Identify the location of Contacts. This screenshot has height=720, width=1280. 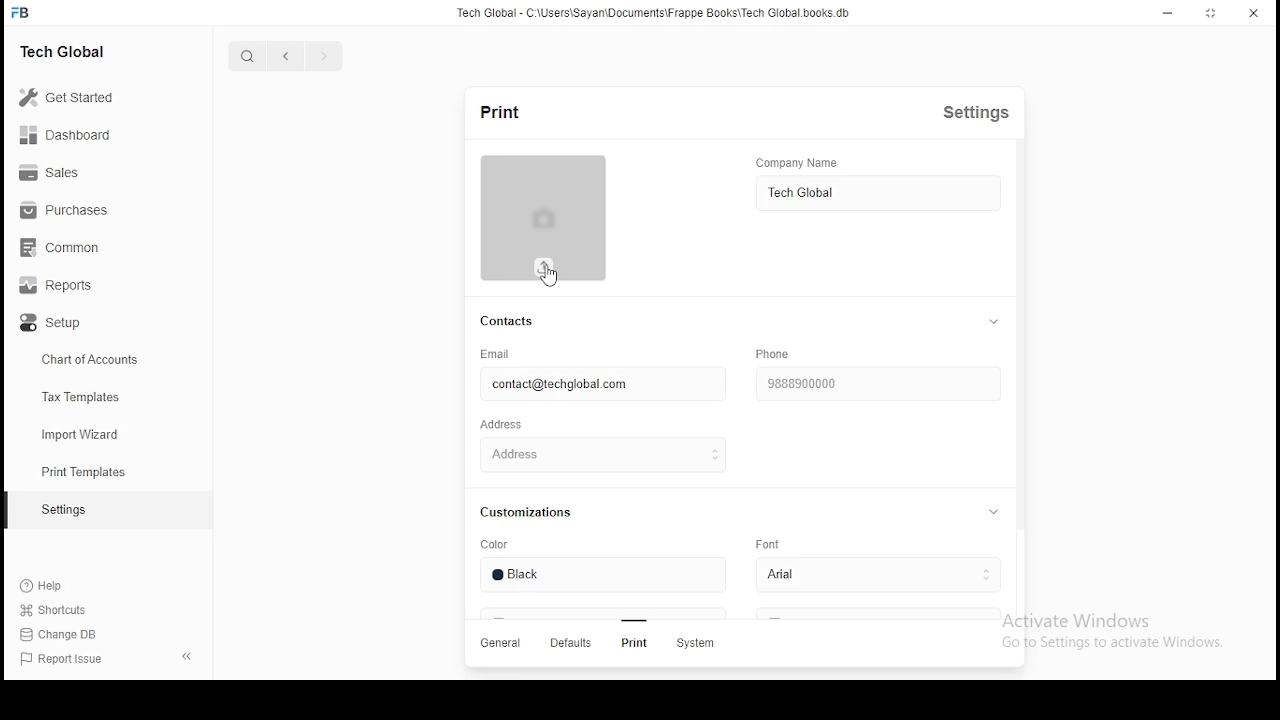
(505, 322).